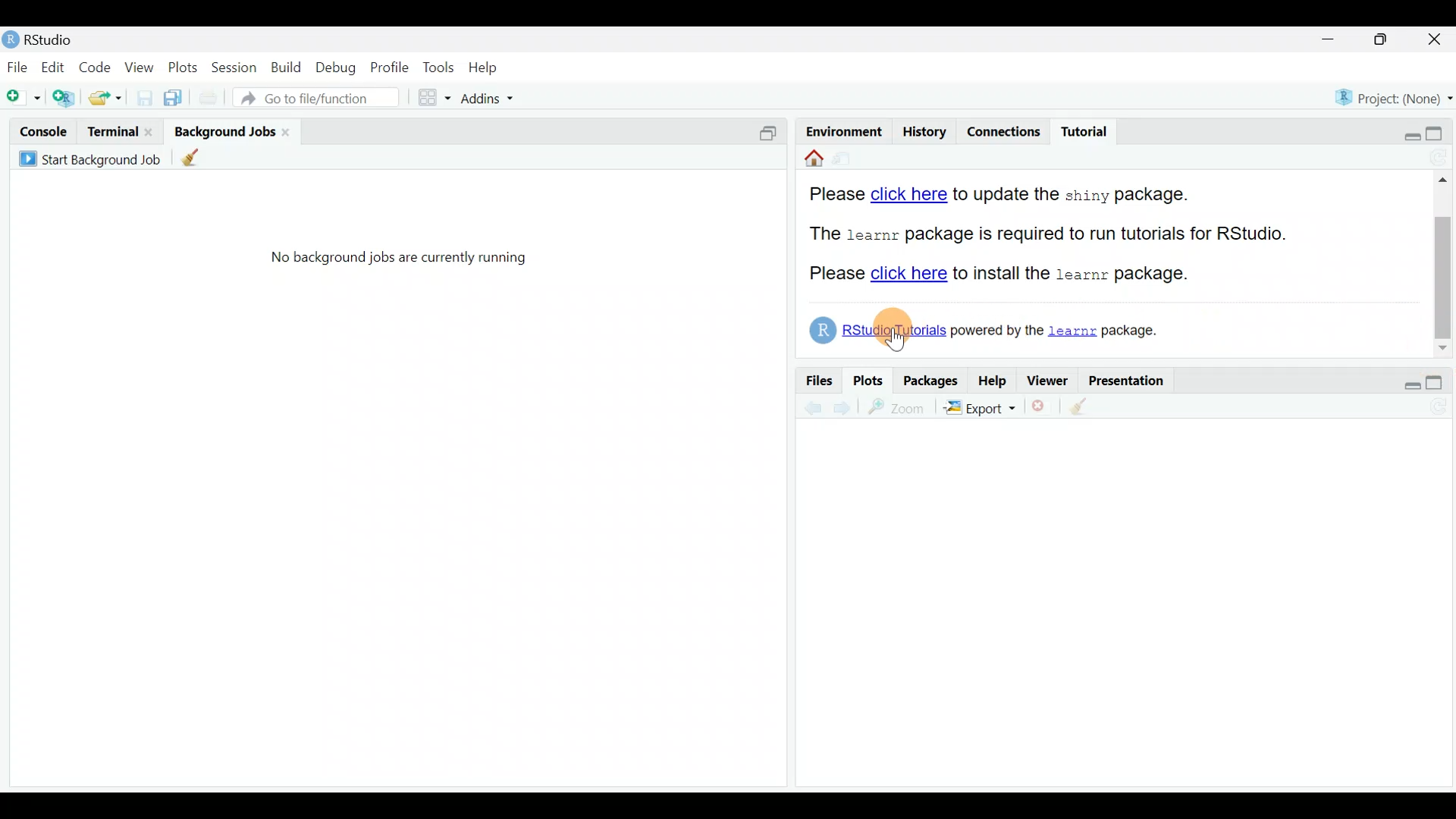  What do you see at coordinates (174, 99) in the screenshot?
I see `Save all open documents` at bounding box center [174, 99].